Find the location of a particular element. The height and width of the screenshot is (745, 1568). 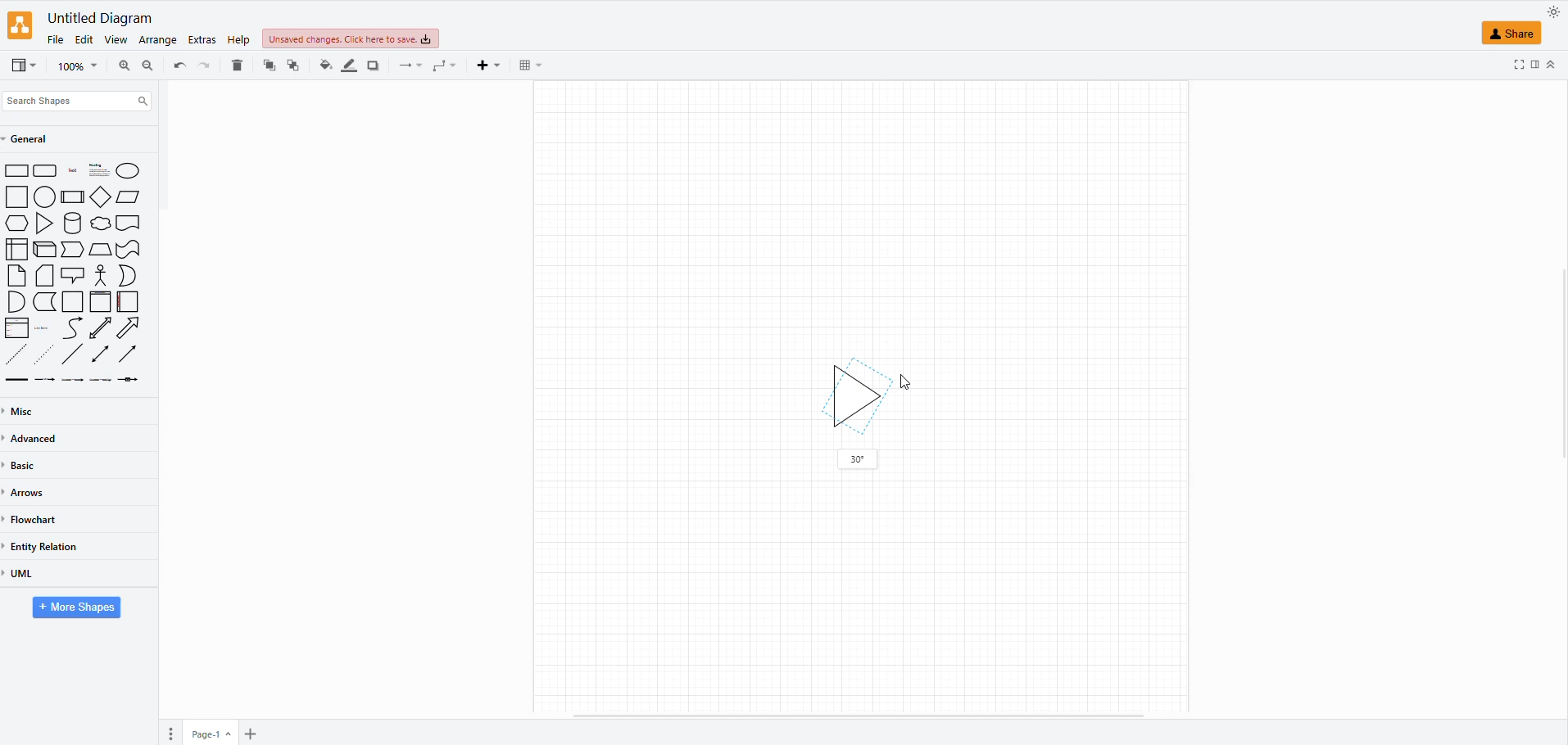

more shapes is located at coordinates (78, 609).